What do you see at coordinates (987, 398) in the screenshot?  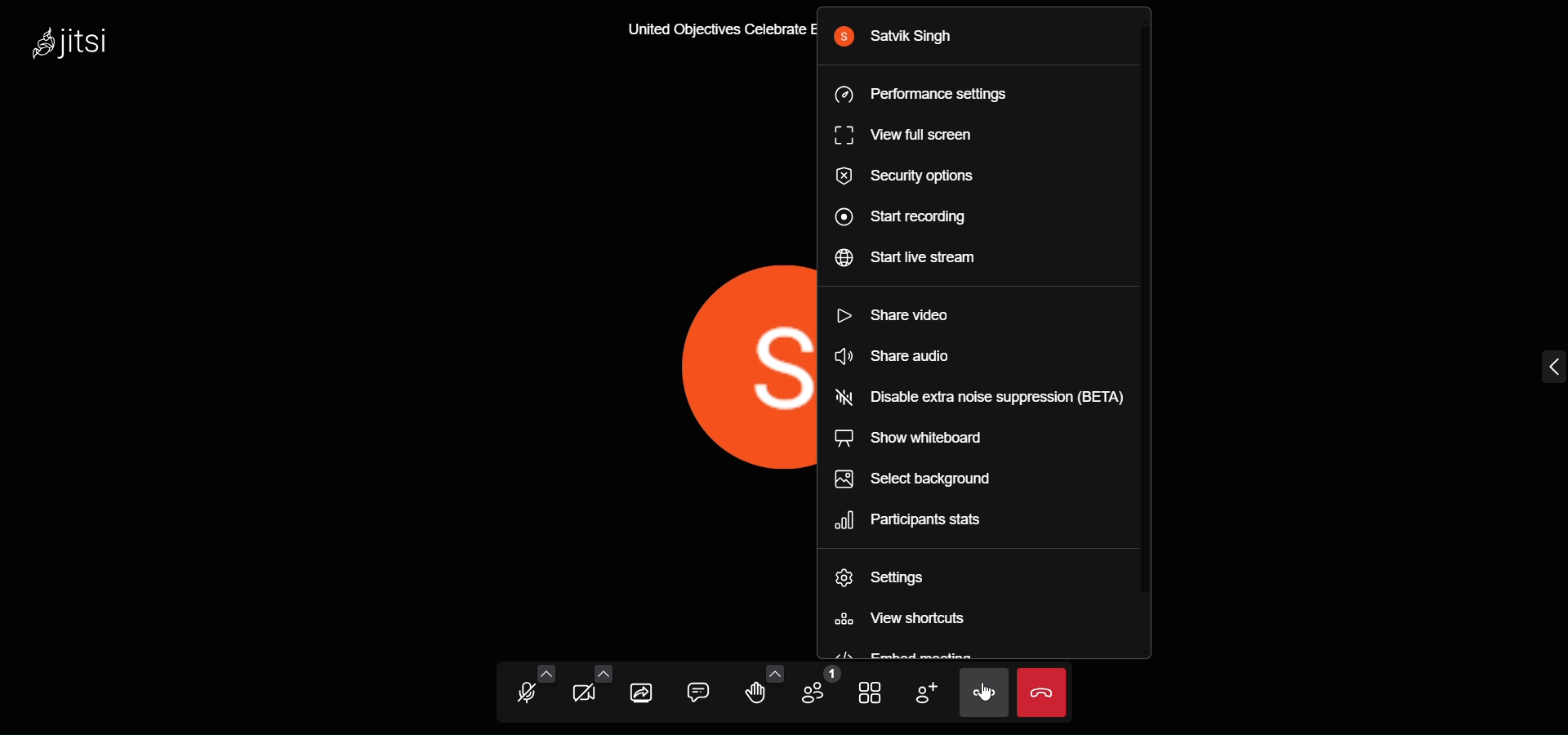 I see `enabled noise suppression (BETA)` at bounding box center [987, 398].